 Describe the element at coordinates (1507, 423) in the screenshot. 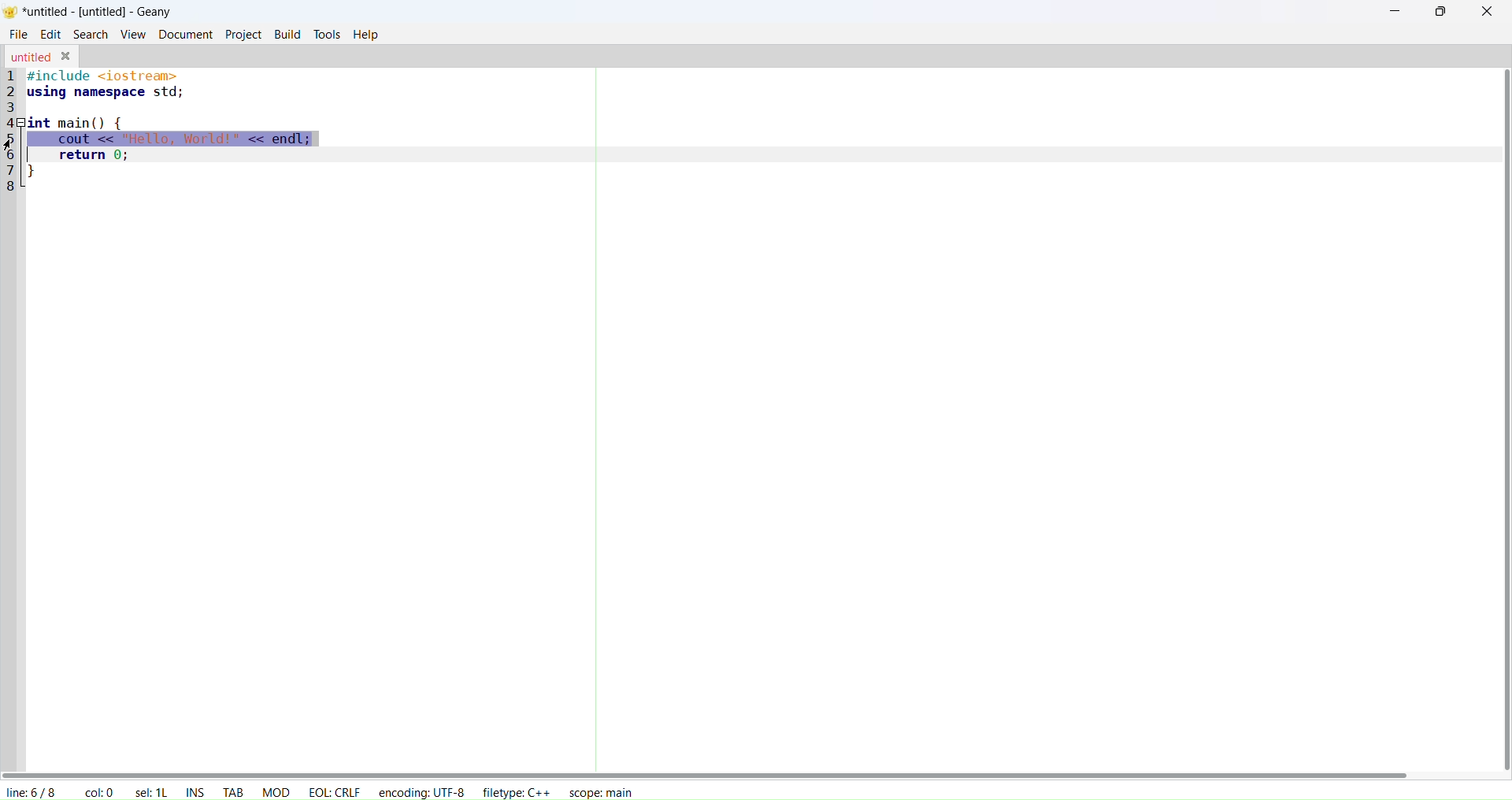

I see `vertical scroll bar` at that location.